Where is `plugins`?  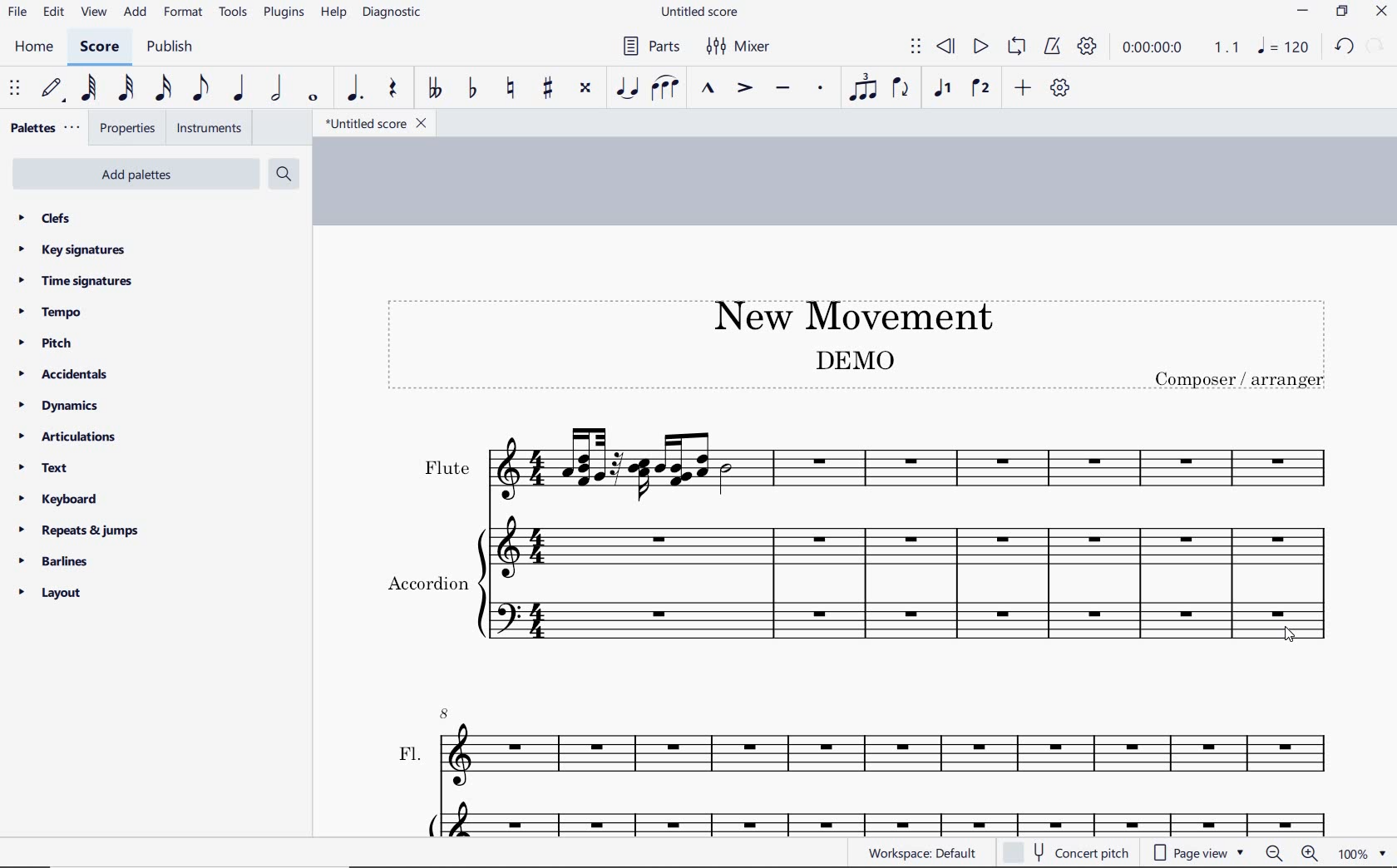 plugins is located at coordinates (284, 13).